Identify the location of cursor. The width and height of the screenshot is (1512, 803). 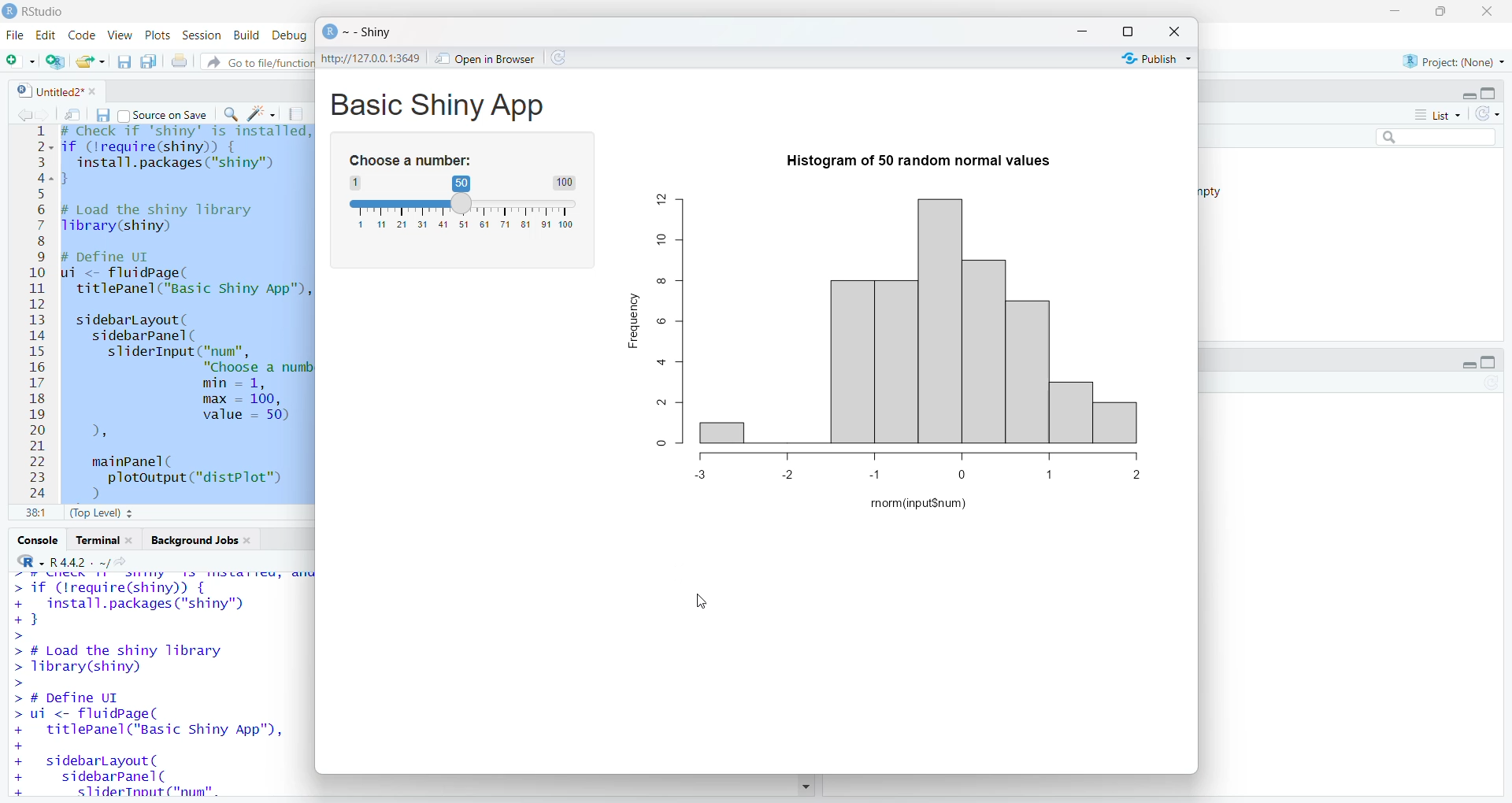
(702, 602).